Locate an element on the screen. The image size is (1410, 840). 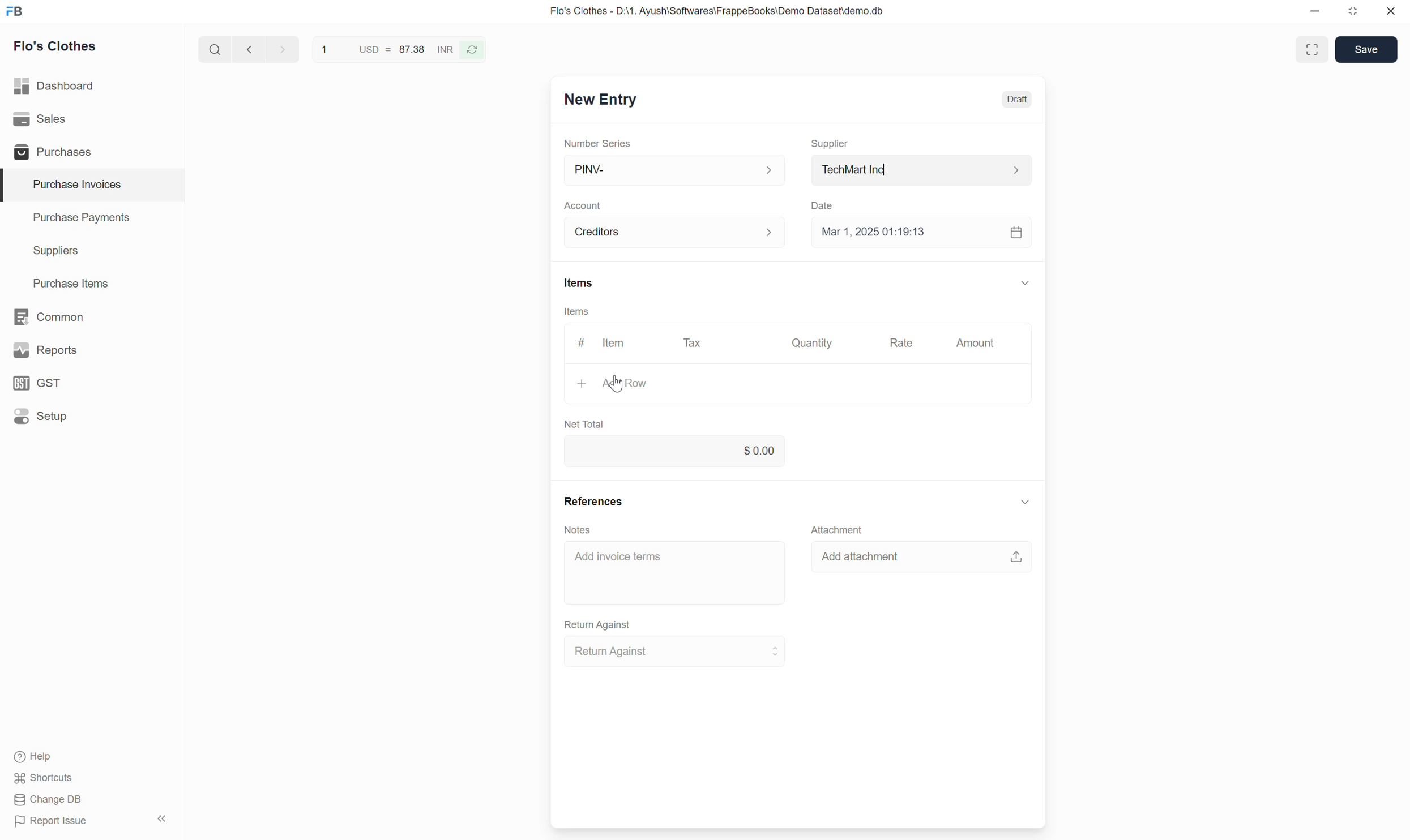
Date is located at coordinates (824, 203).